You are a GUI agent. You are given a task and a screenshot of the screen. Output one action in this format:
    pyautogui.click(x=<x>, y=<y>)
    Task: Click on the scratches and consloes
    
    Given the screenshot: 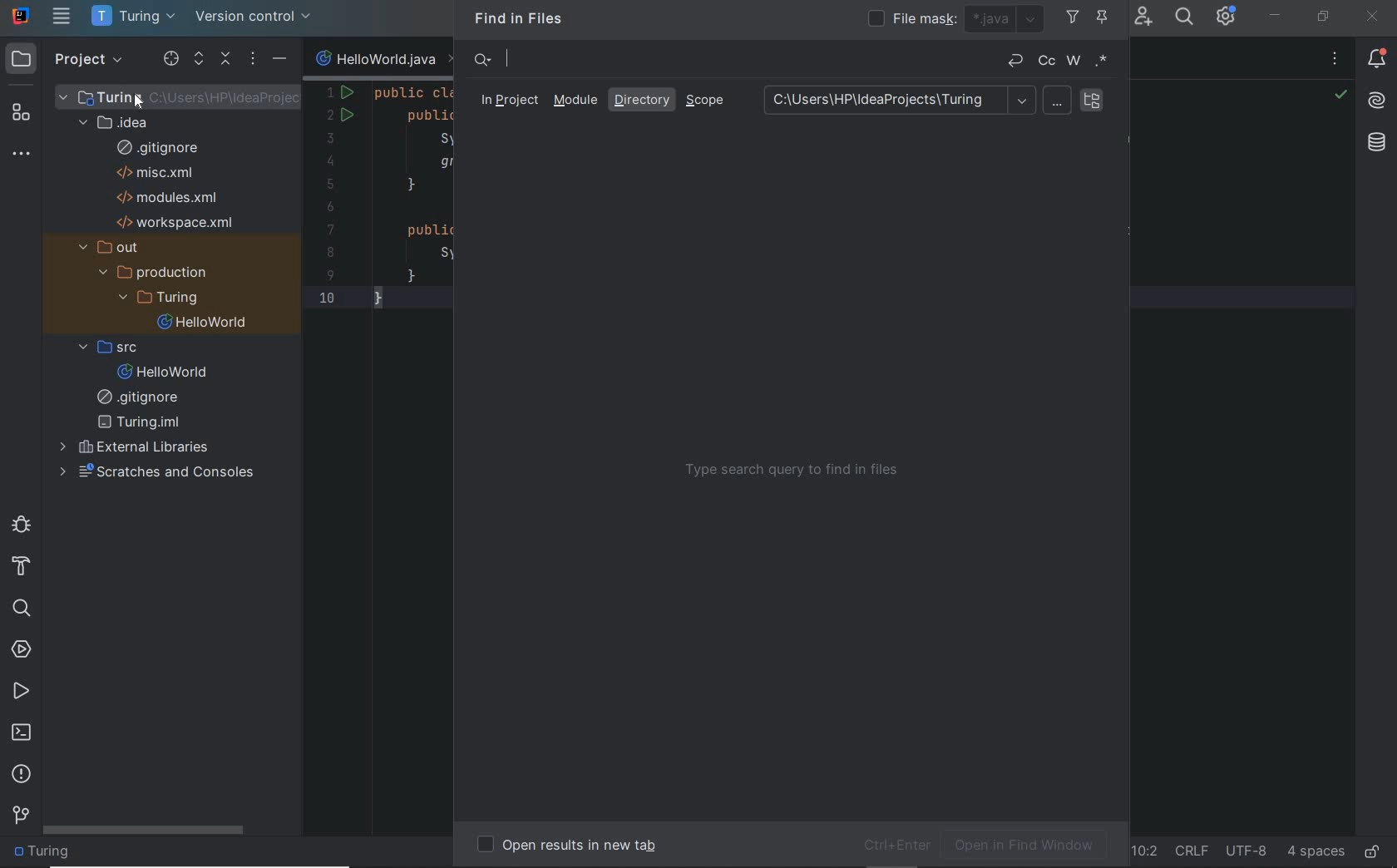 What is the action you would take?
    pyautogui.click(x=166, y=474)
    